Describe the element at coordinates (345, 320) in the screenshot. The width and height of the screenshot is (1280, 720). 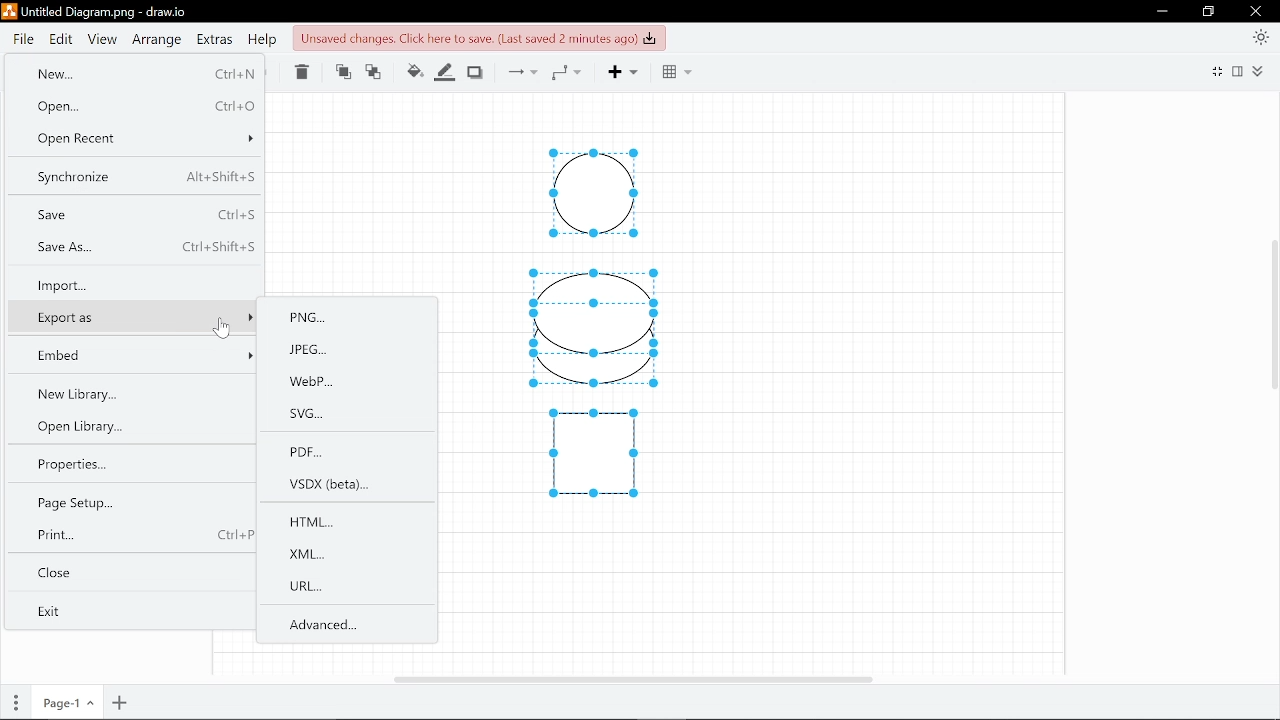
I see `PNG` at that location.